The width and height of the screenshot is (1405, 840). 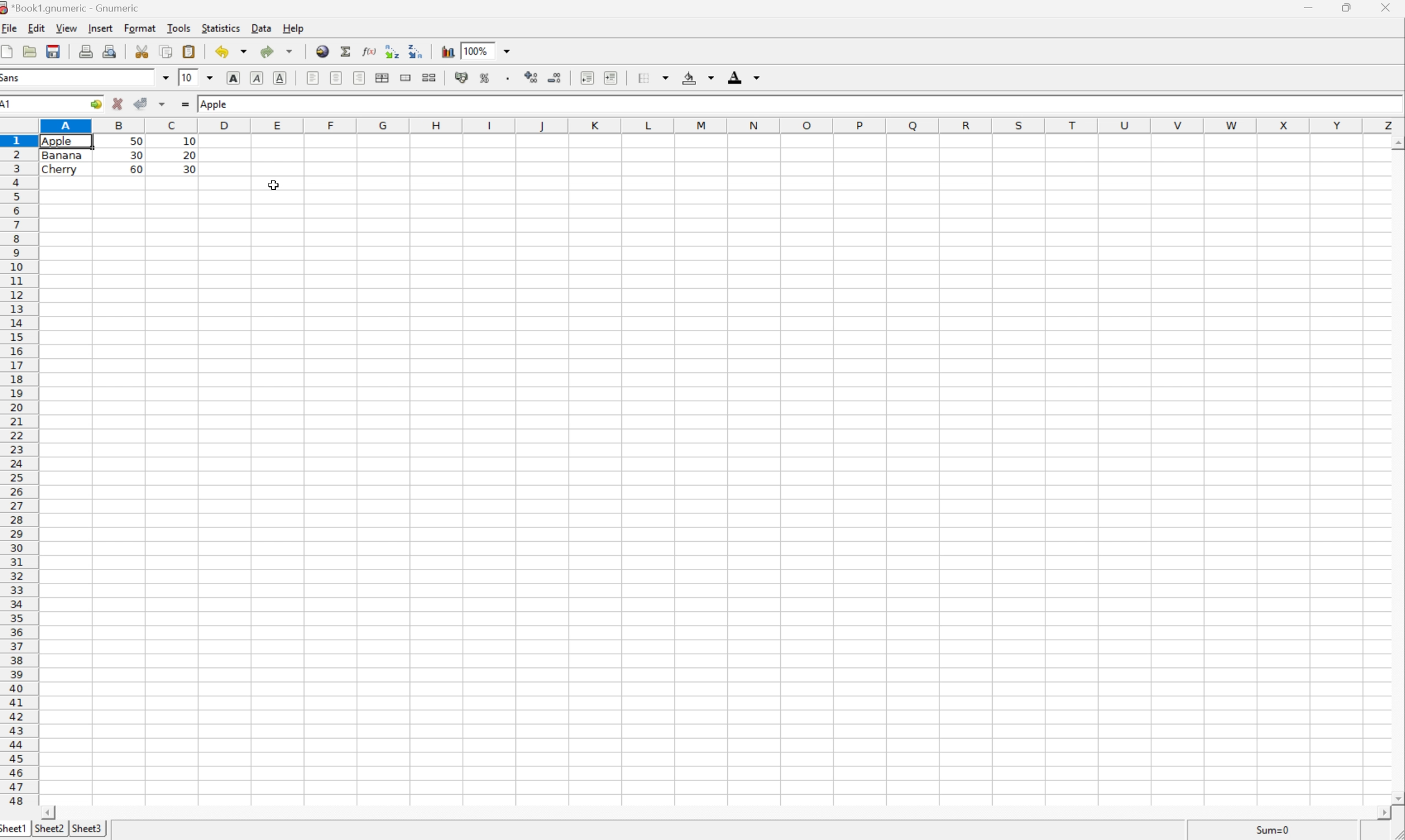 I want to click on paste, so click(x=189, y=50).